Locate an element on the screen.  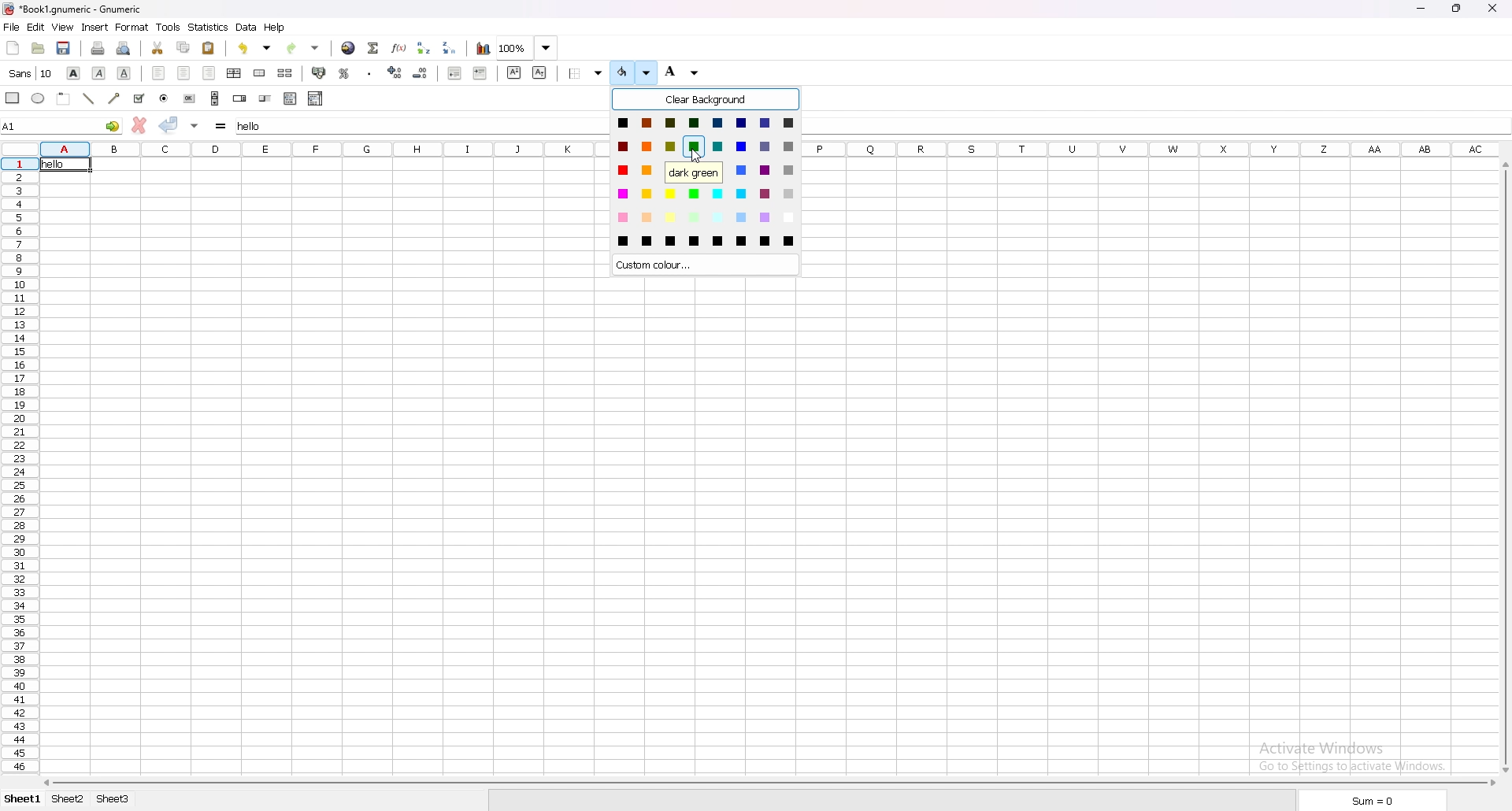
print preview is located at coordinates (124, 49).